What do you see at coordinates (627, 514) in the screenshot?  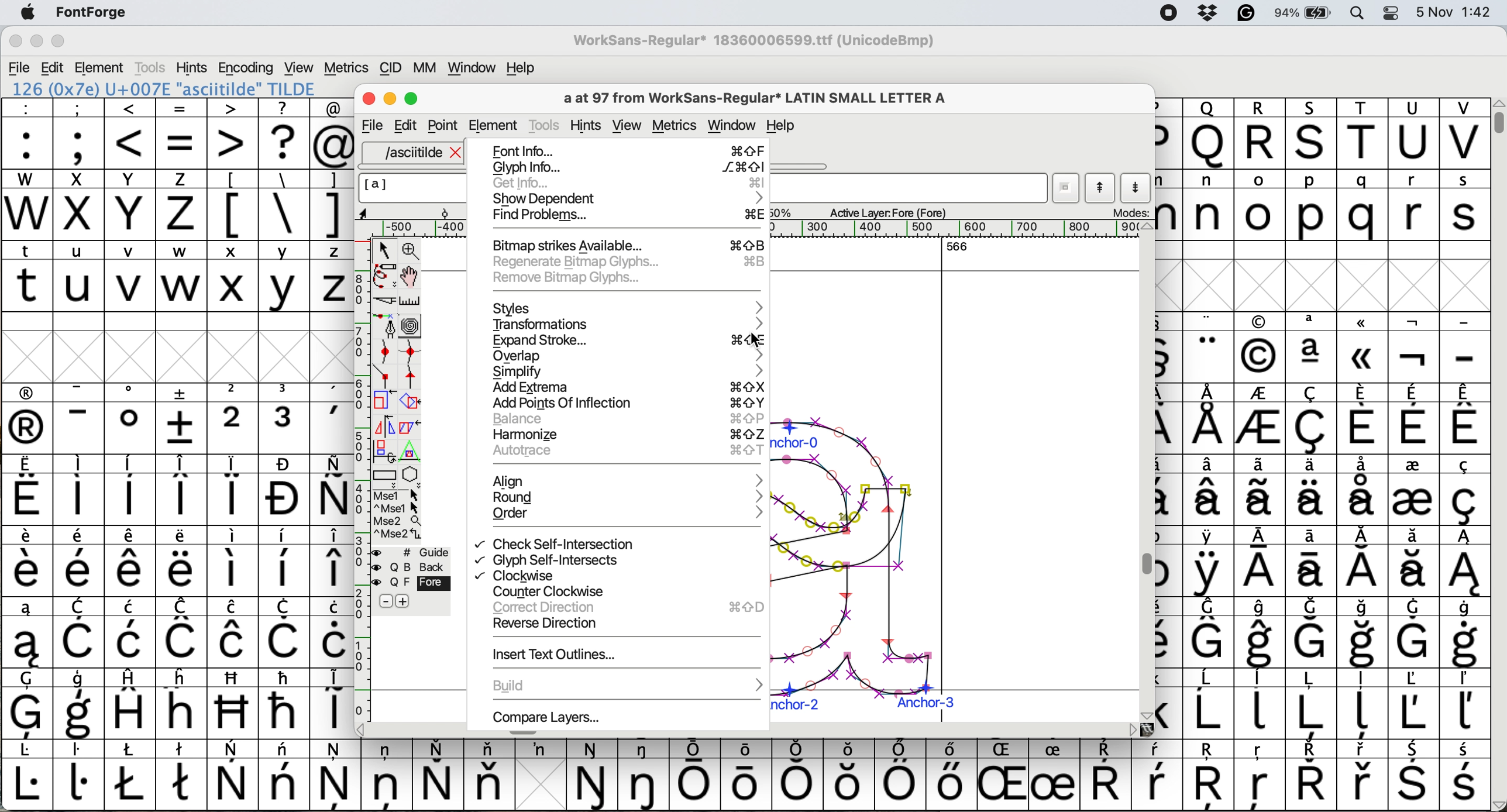 I see `order` at bounding box center [627, 514].